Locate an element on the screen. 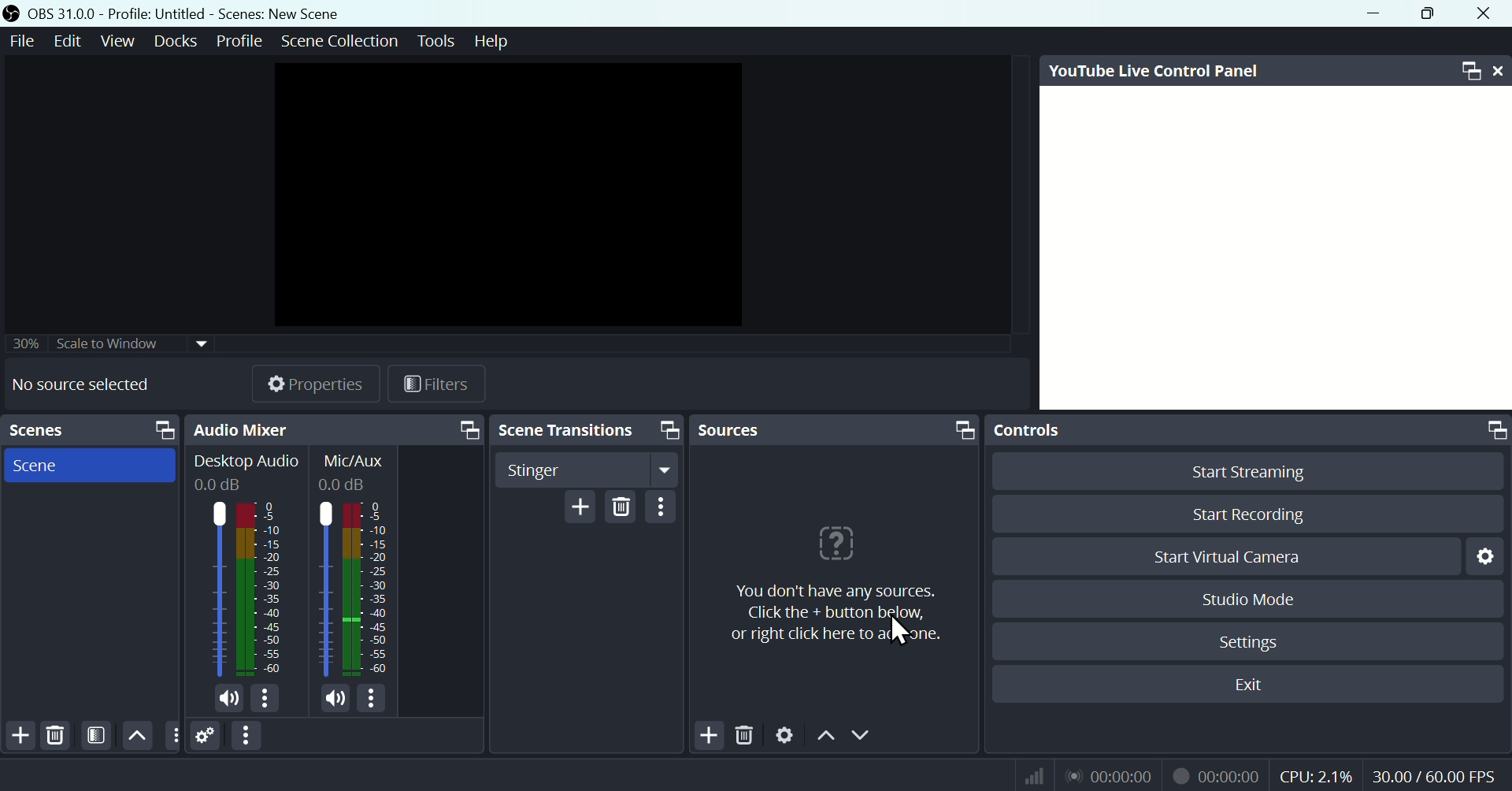 The height and width of the screenshot is (791, 1512). screen resize is located at coordinates (667, 430).